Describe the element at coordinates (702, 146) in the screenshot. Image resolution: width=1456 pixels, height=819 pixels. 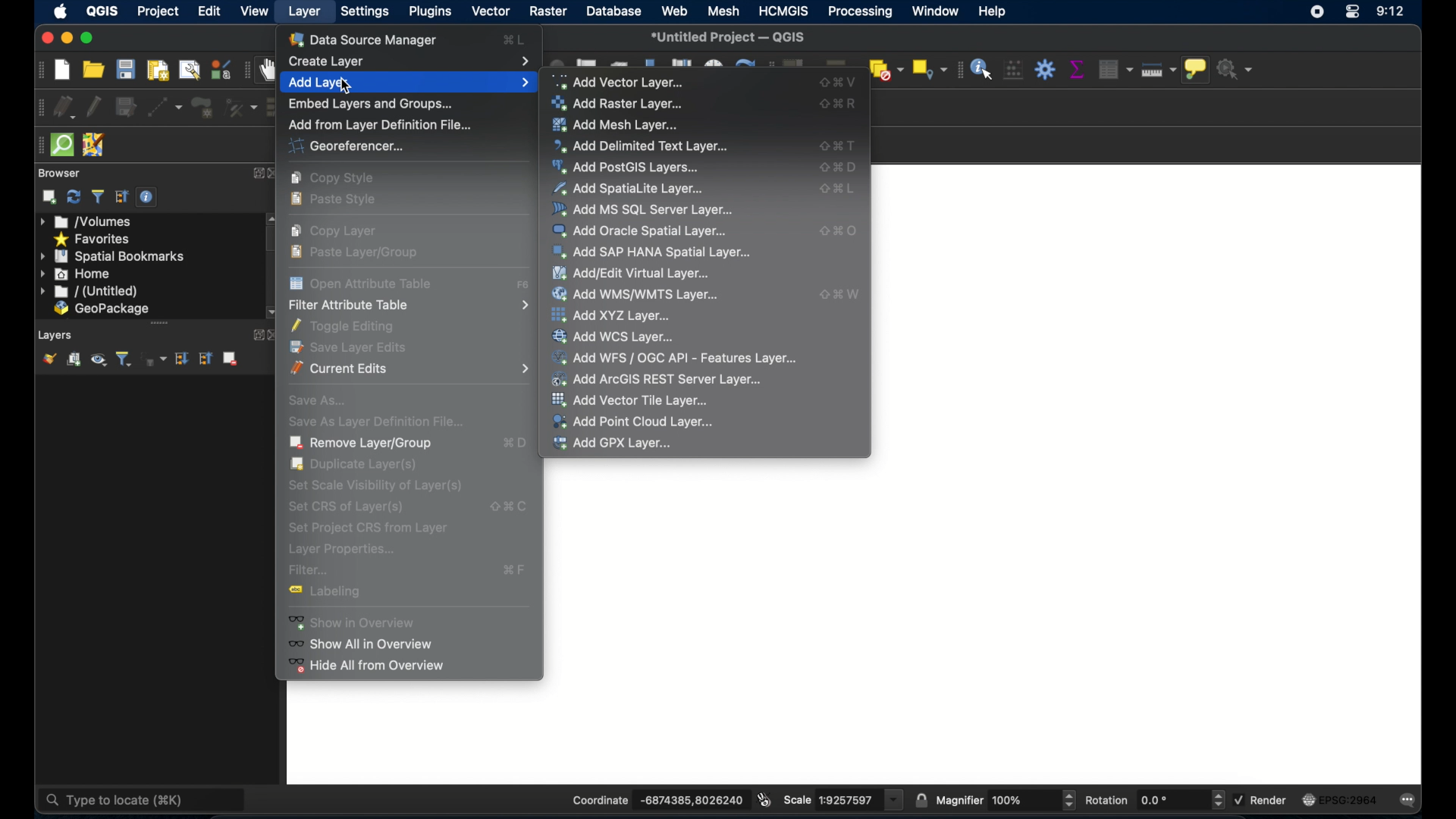
I see `Add Delimited Text Layer...` at that location.